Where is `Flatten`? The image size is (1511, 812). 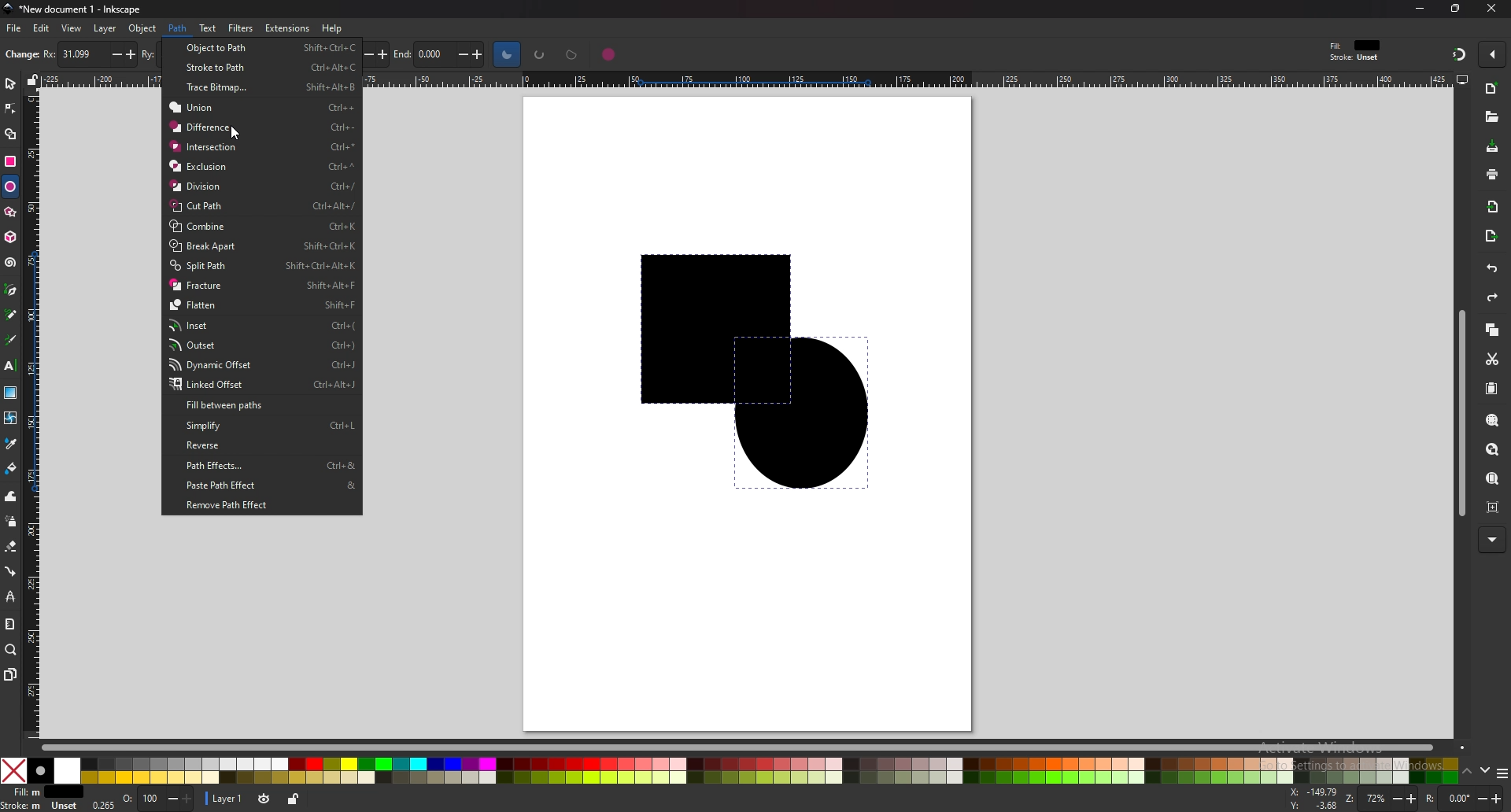 Flatten is located at coordinates (260, 304).